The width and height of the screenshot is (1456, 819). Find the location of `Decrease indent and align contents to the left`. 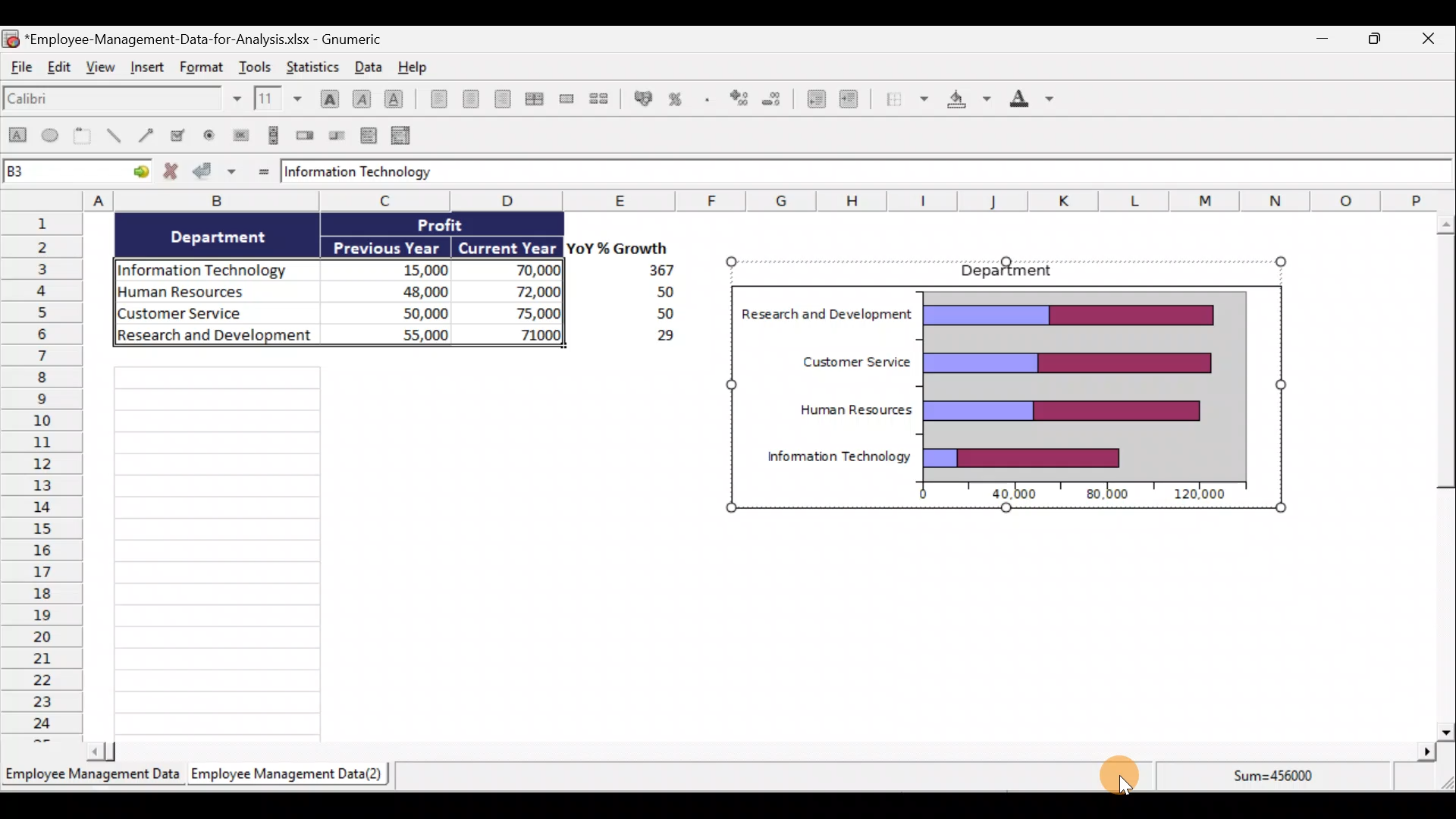

Decrease indent and align contents to the left is located at coordinates (812, 97).